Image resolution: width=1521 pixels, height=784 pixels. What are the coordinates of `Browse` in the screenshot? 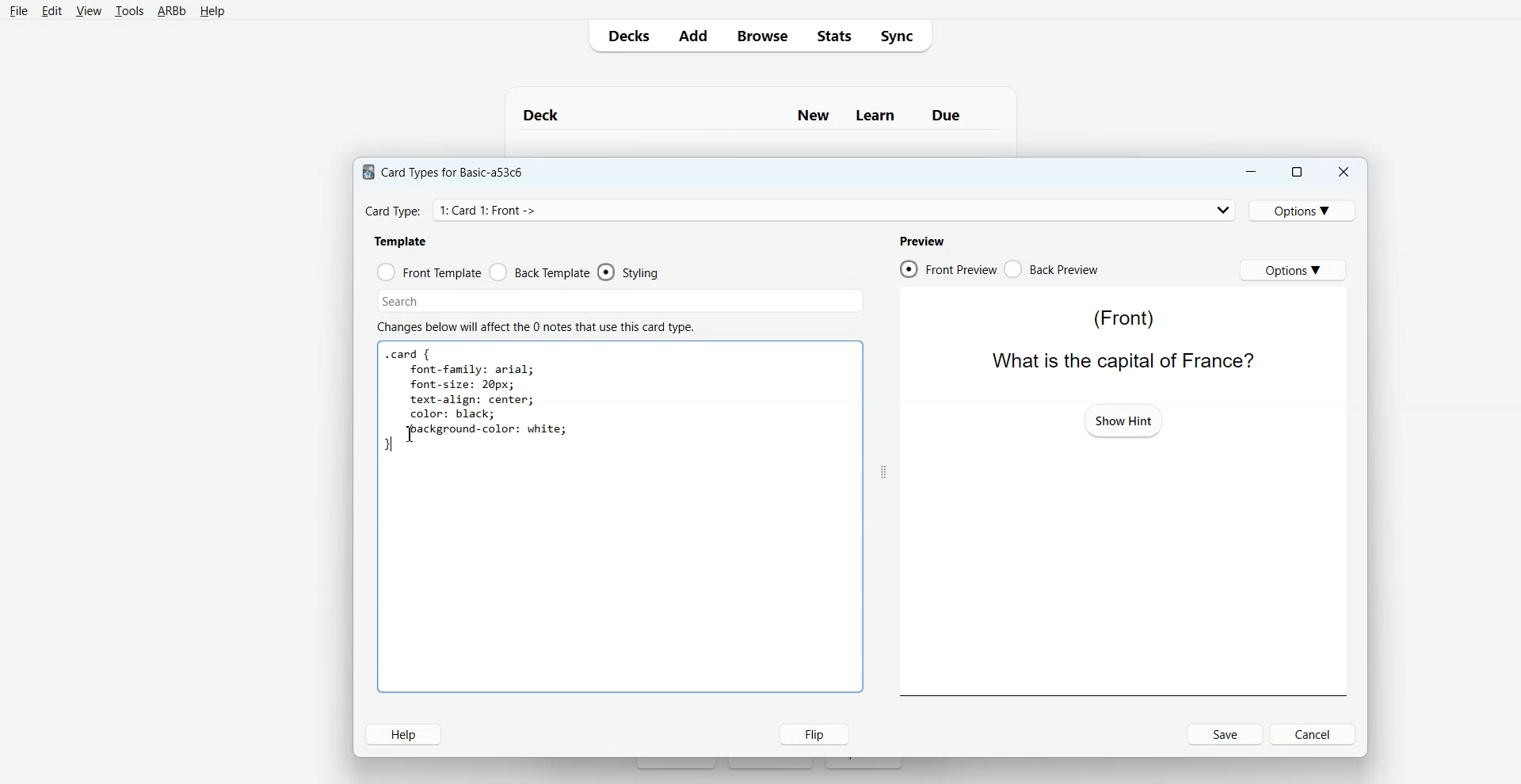 It's located at (761, 35).